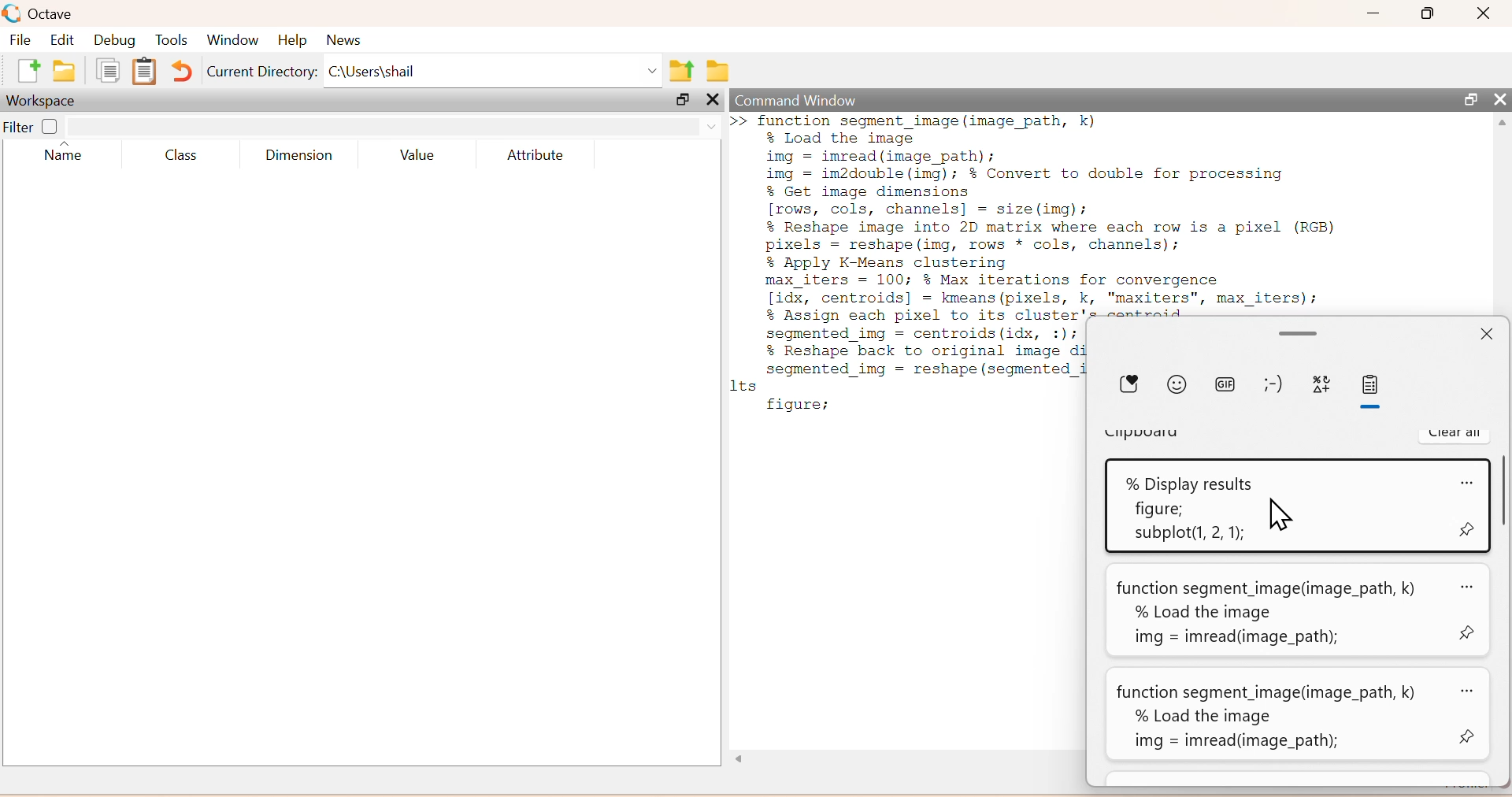  Describe the element at coordinates (746, 759) in the screenshot. I see `` at that location.